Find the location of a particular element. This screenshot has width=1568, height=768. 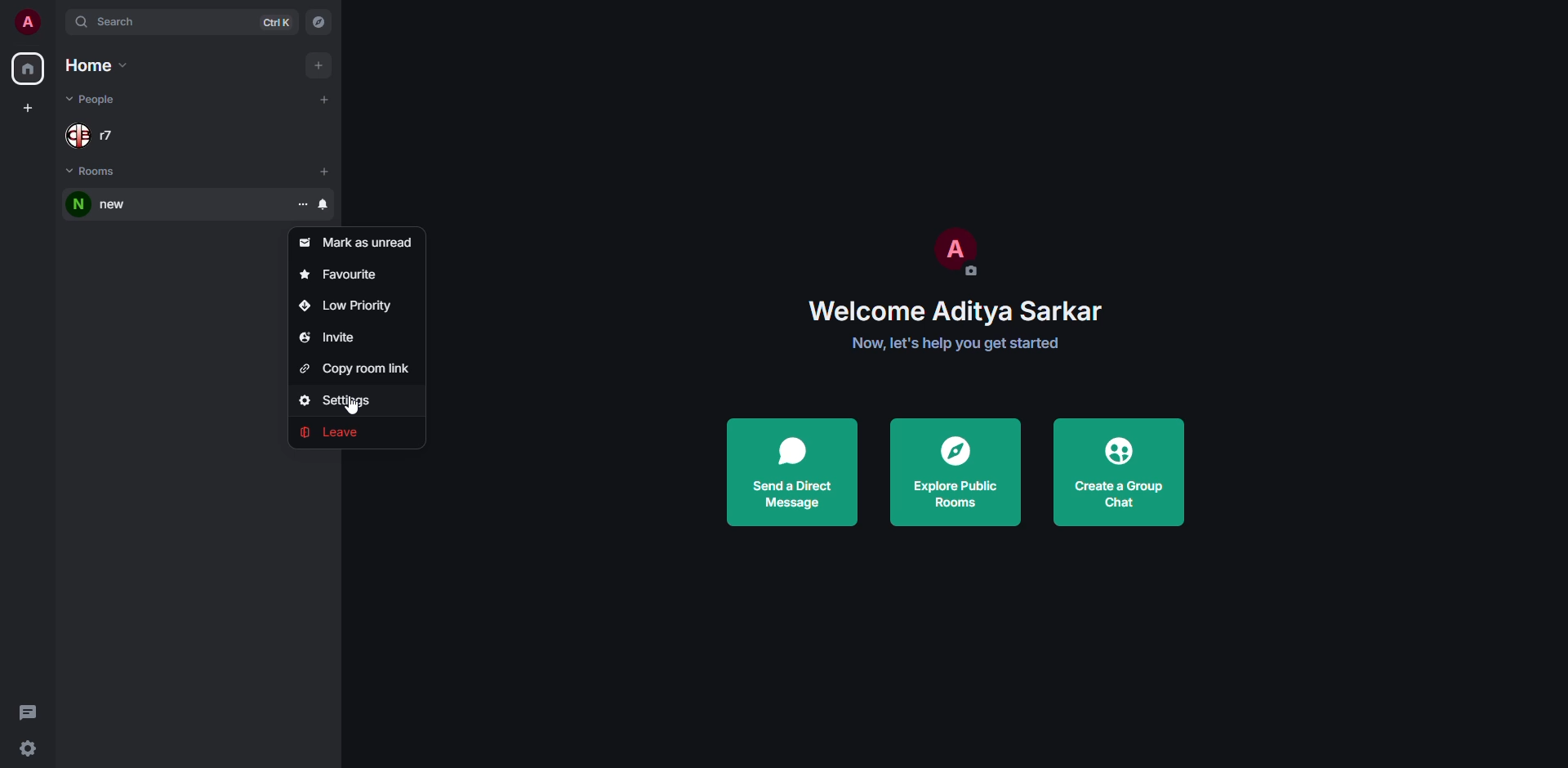

Cursor is located at coordinates (354, 413).